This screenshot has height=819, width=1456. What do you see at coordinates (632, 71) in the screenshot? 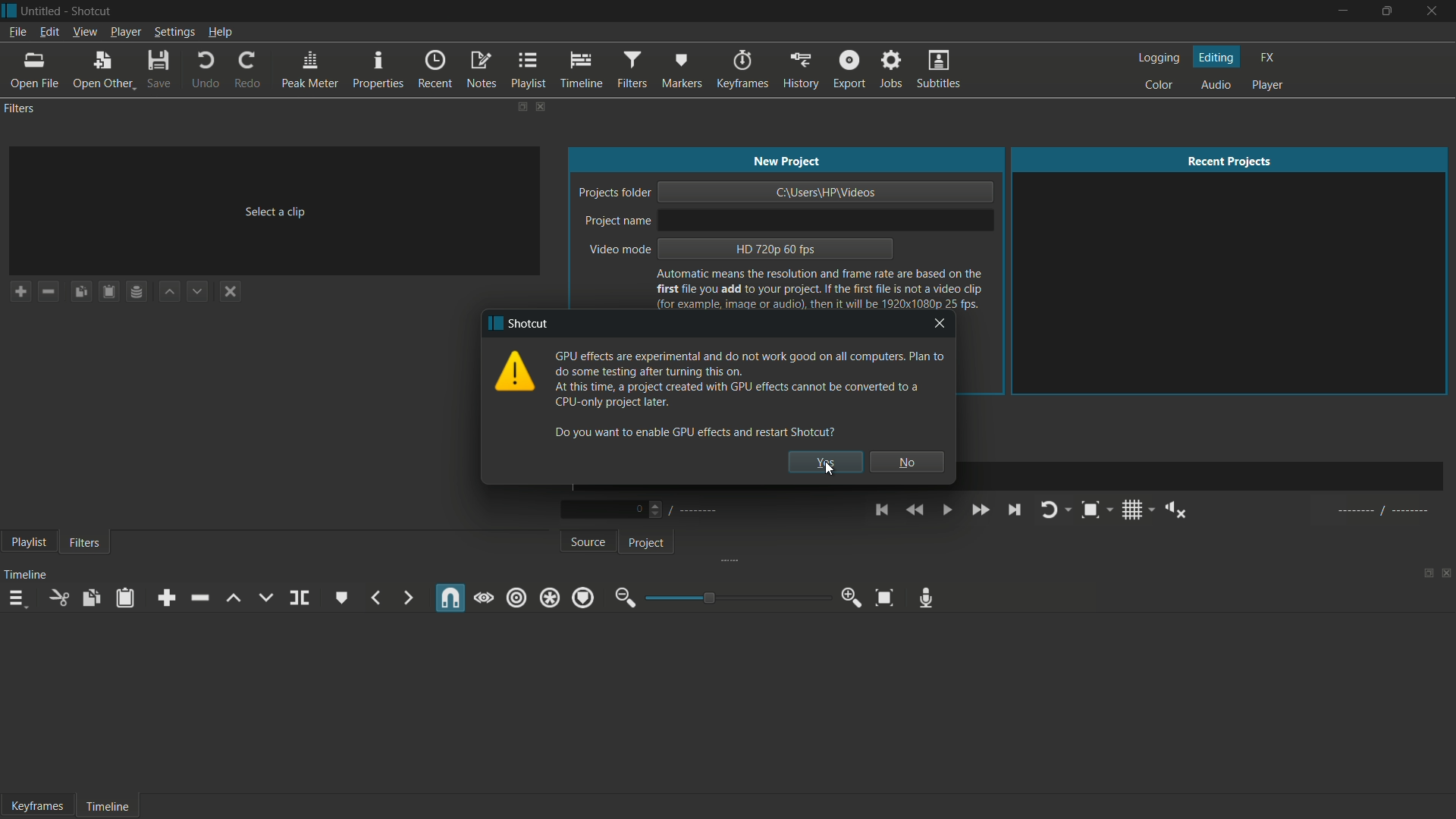
I see `filters` at bounding box center [632, 71].